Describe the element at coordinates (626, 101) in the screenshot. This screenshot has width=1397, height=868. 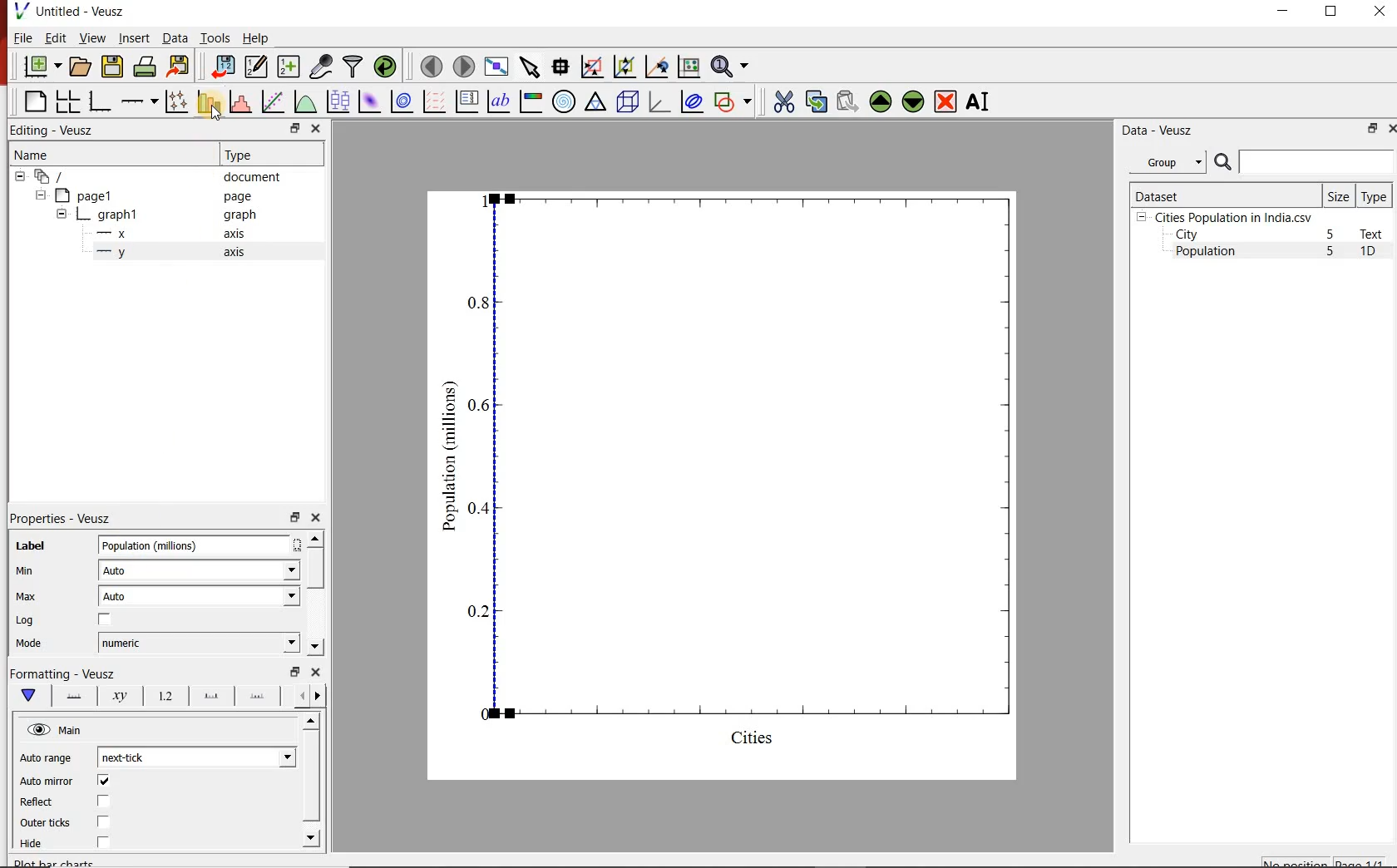
I see `3d scene` at that location.